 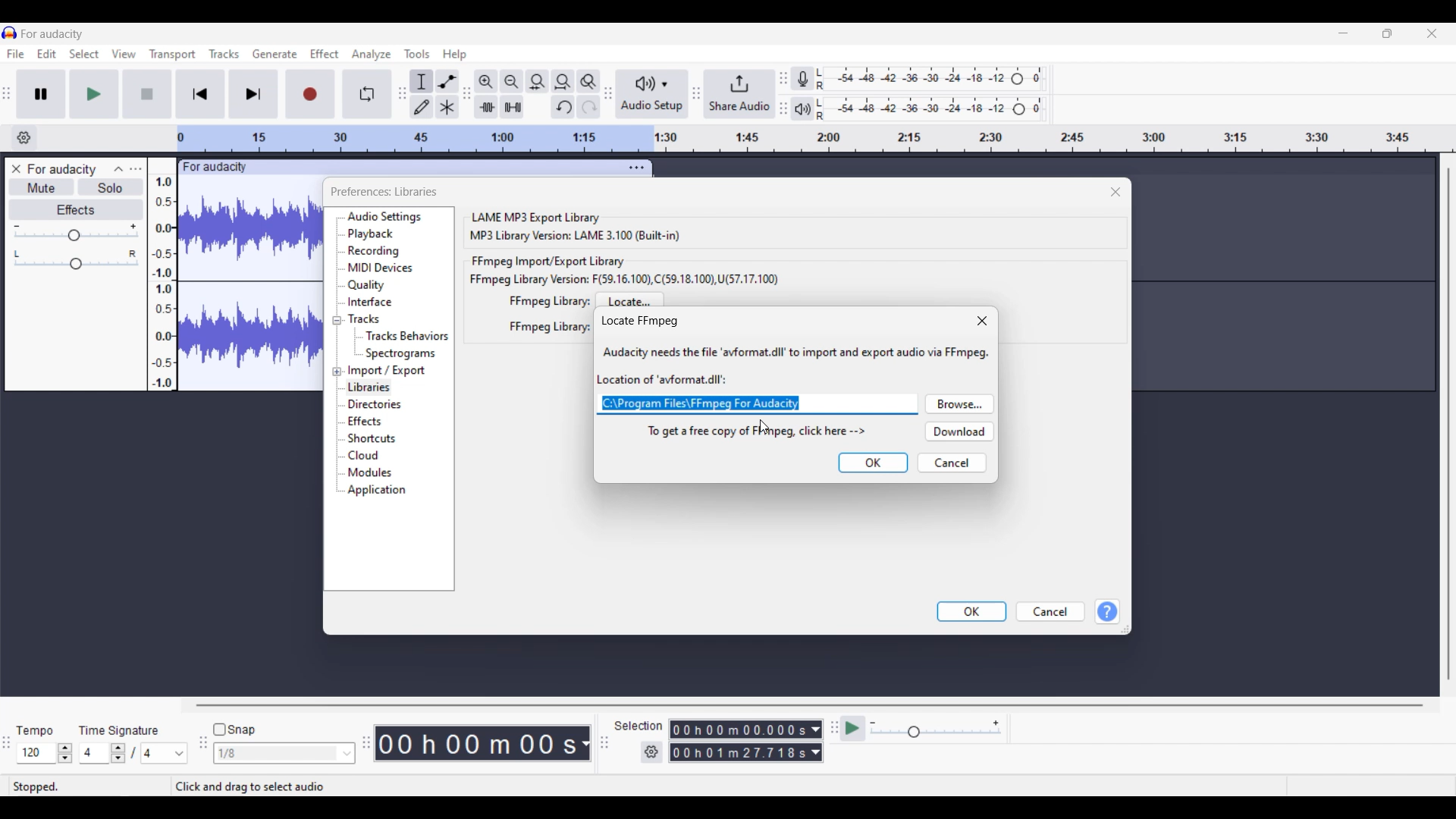 I want to click on click to move, so click(x=438, y=165).